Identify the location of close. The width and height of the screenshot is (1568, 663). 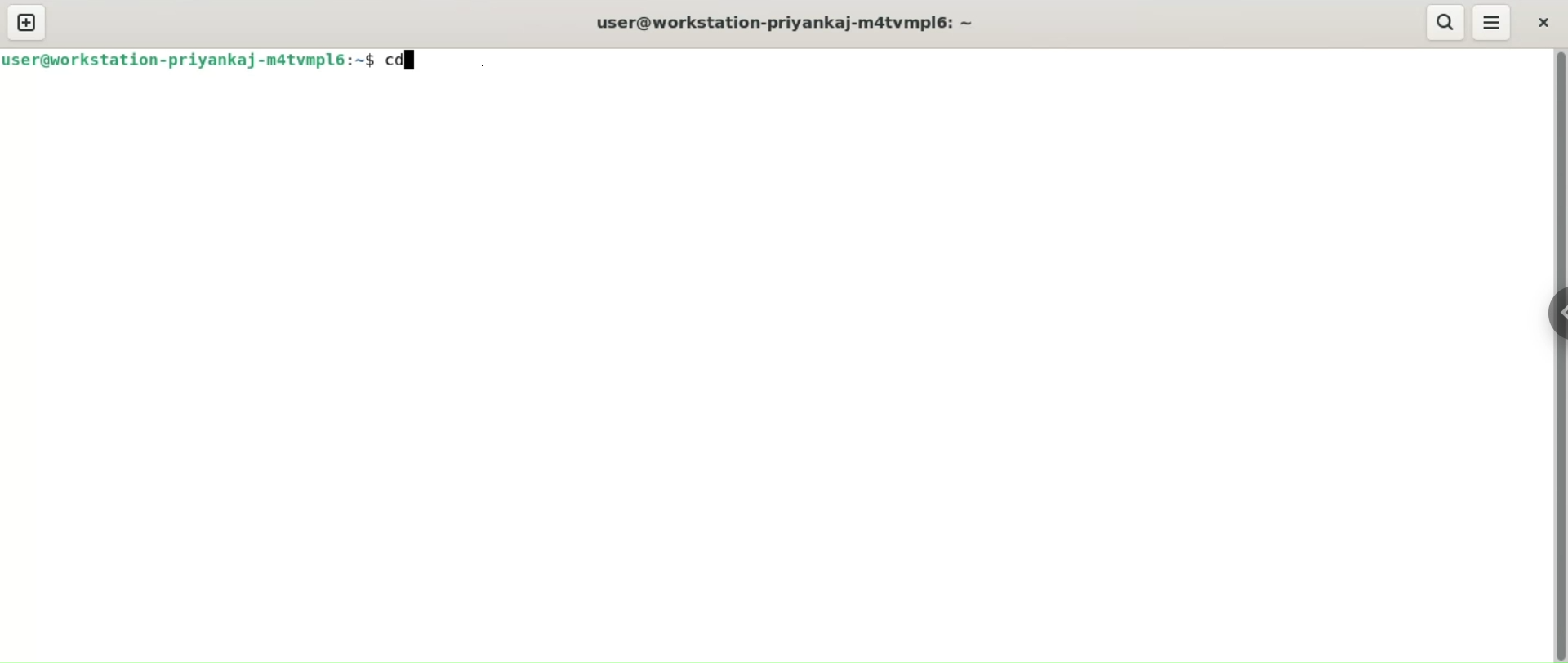
(1541, 21).